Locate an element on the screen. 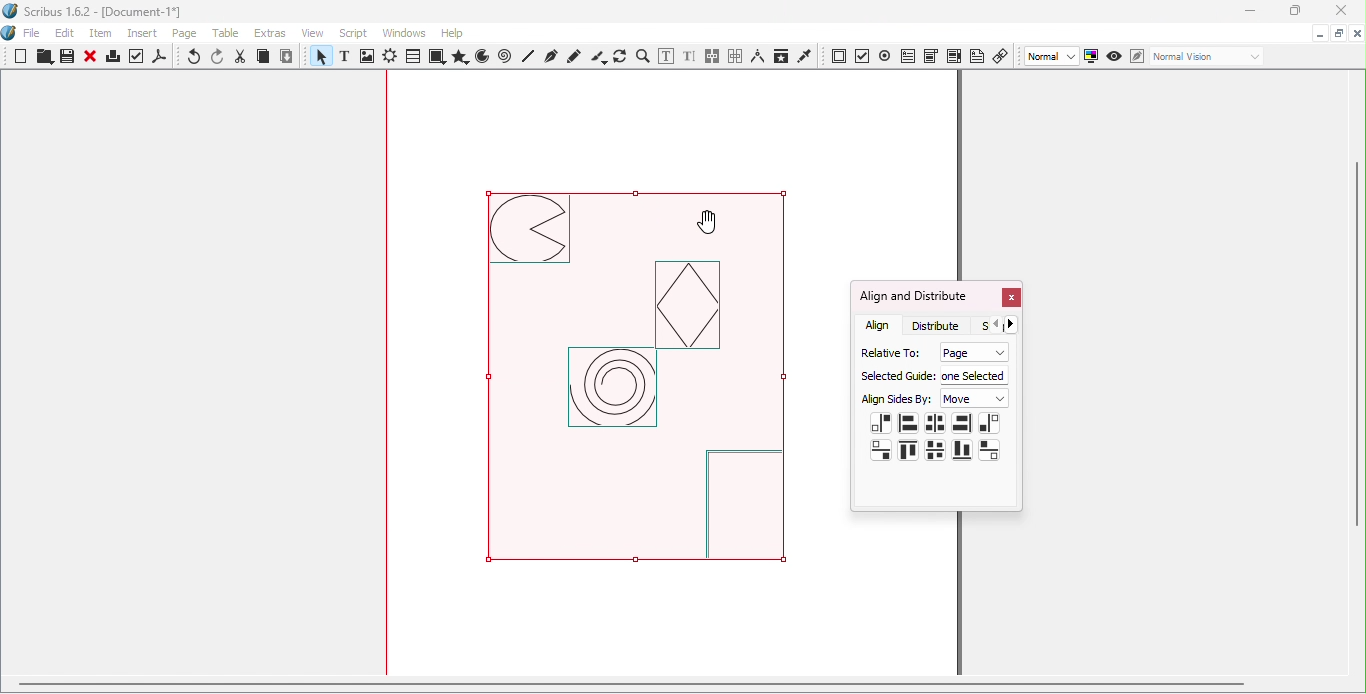 The height and width of the screenshot is (694, 1366). PDF list box is located at coordinates (954, 56).